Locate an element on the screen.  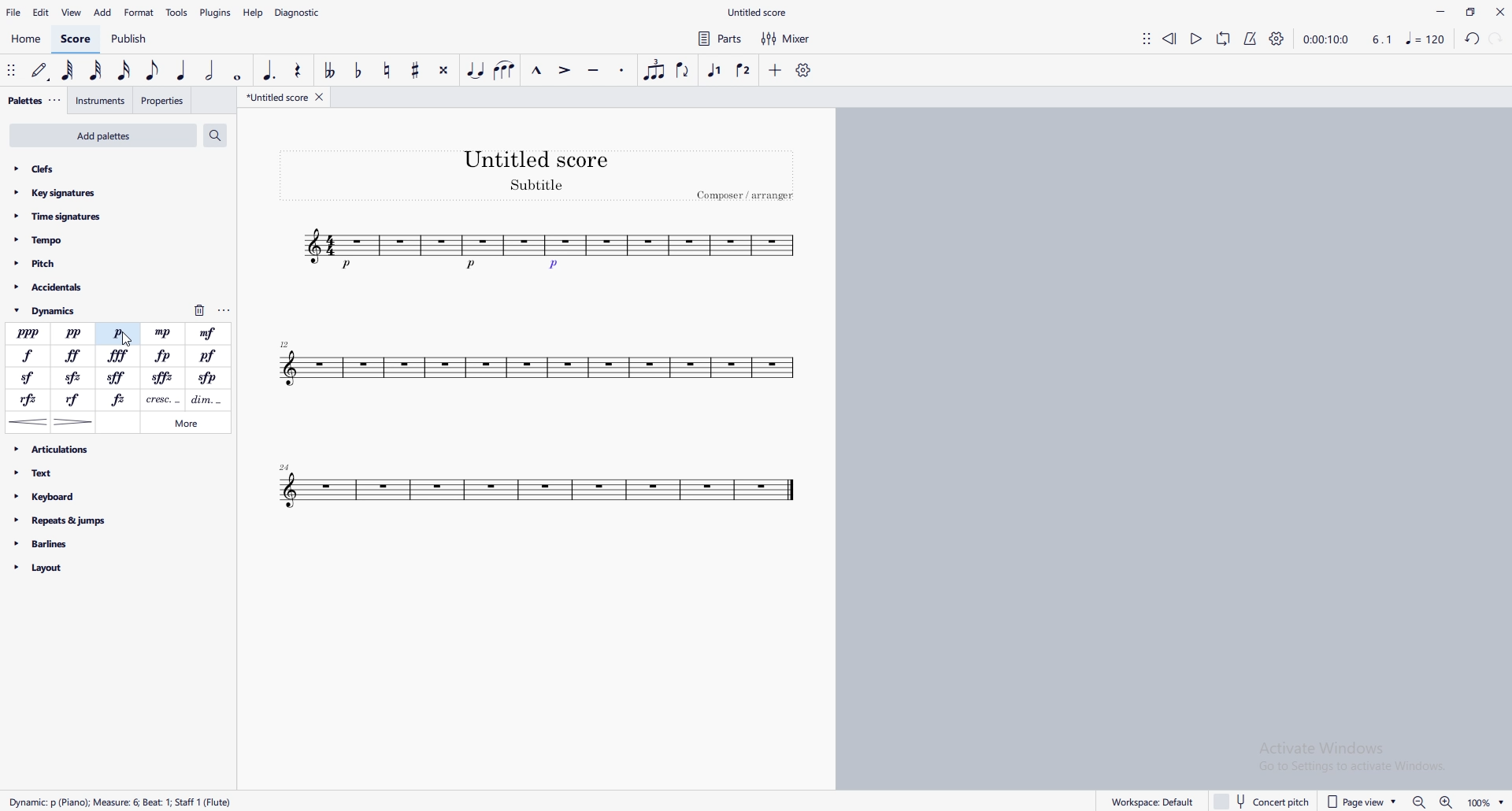
zoom out is located at coordinates (1443, 802).